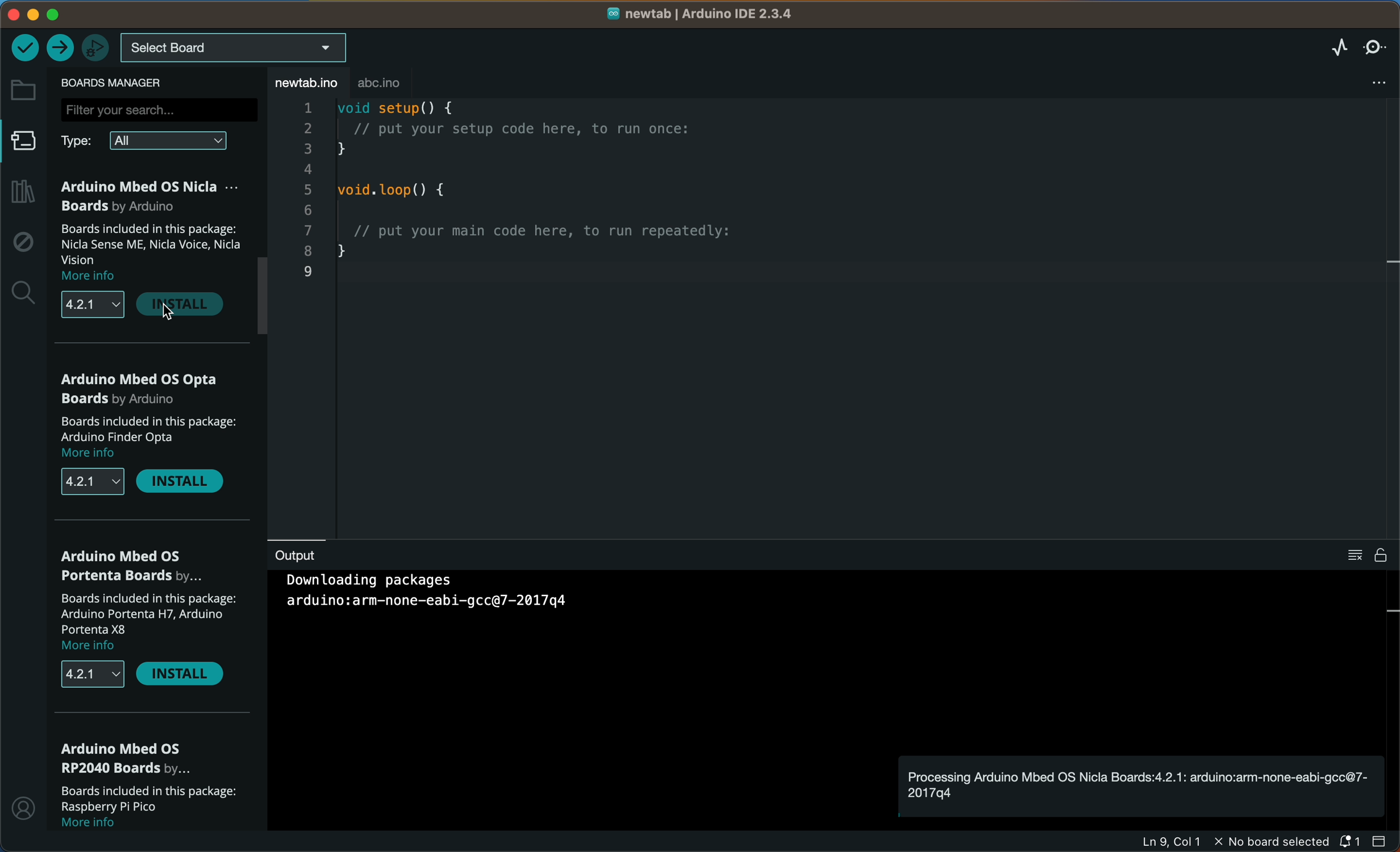  Describe the element at coordinates (148, 242) in the screenshot. I see `description` at that location.